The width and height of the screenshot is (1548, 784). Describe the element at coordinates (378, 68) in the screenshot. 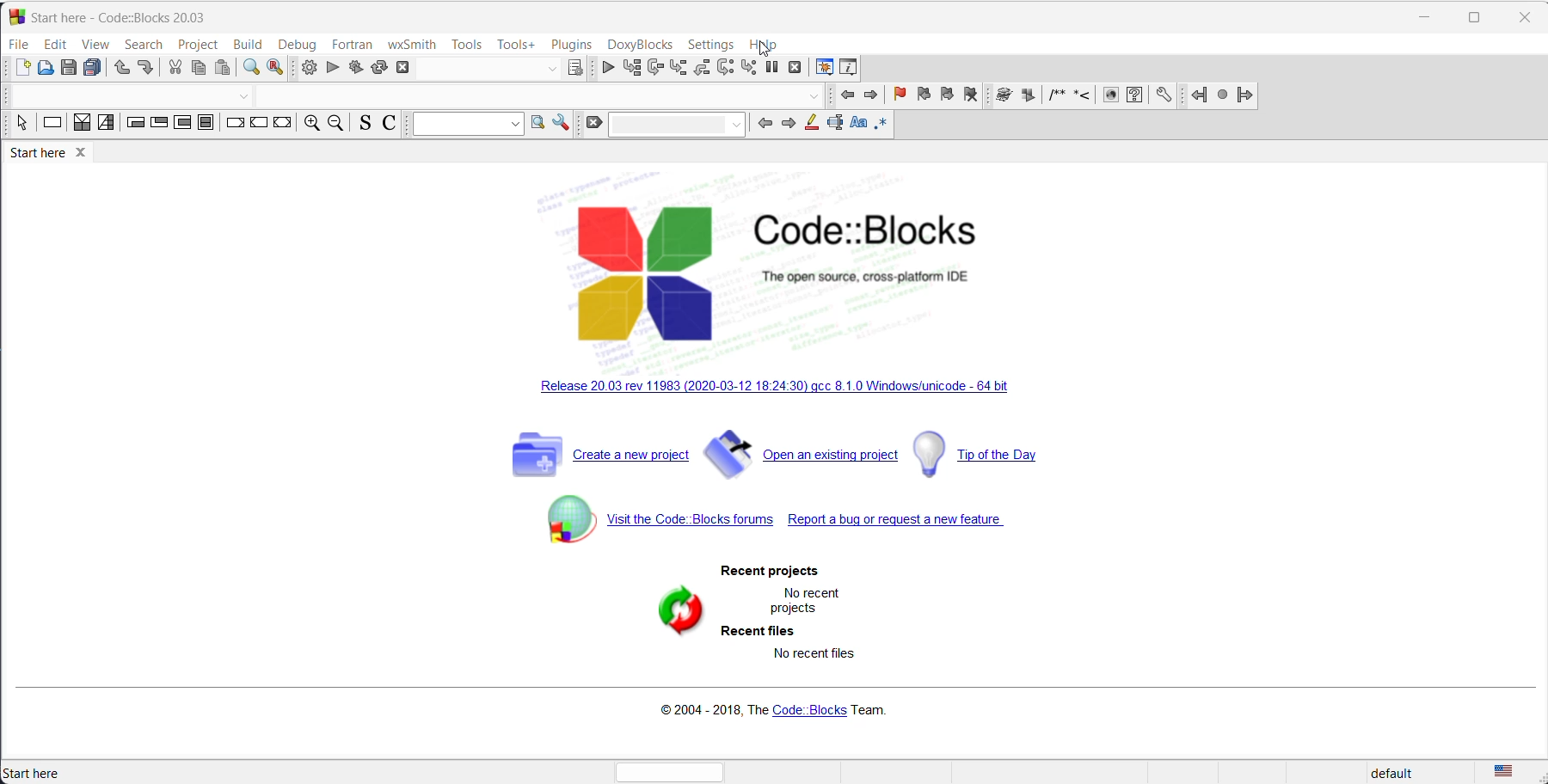

I see `rebuild` at that location.